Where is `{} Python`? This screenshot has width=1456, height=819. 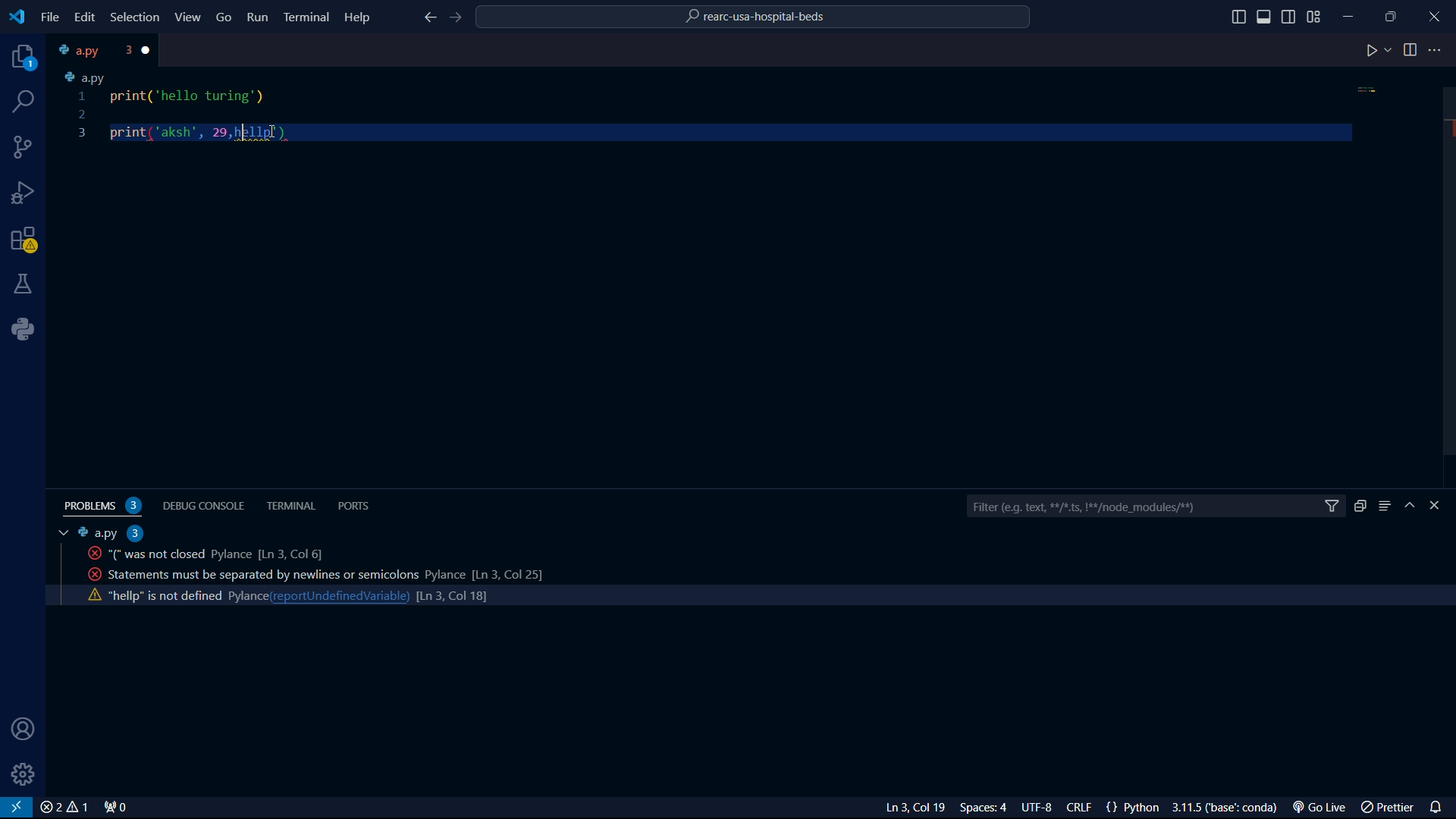 {} Python is located at coordinates (1135, 808).